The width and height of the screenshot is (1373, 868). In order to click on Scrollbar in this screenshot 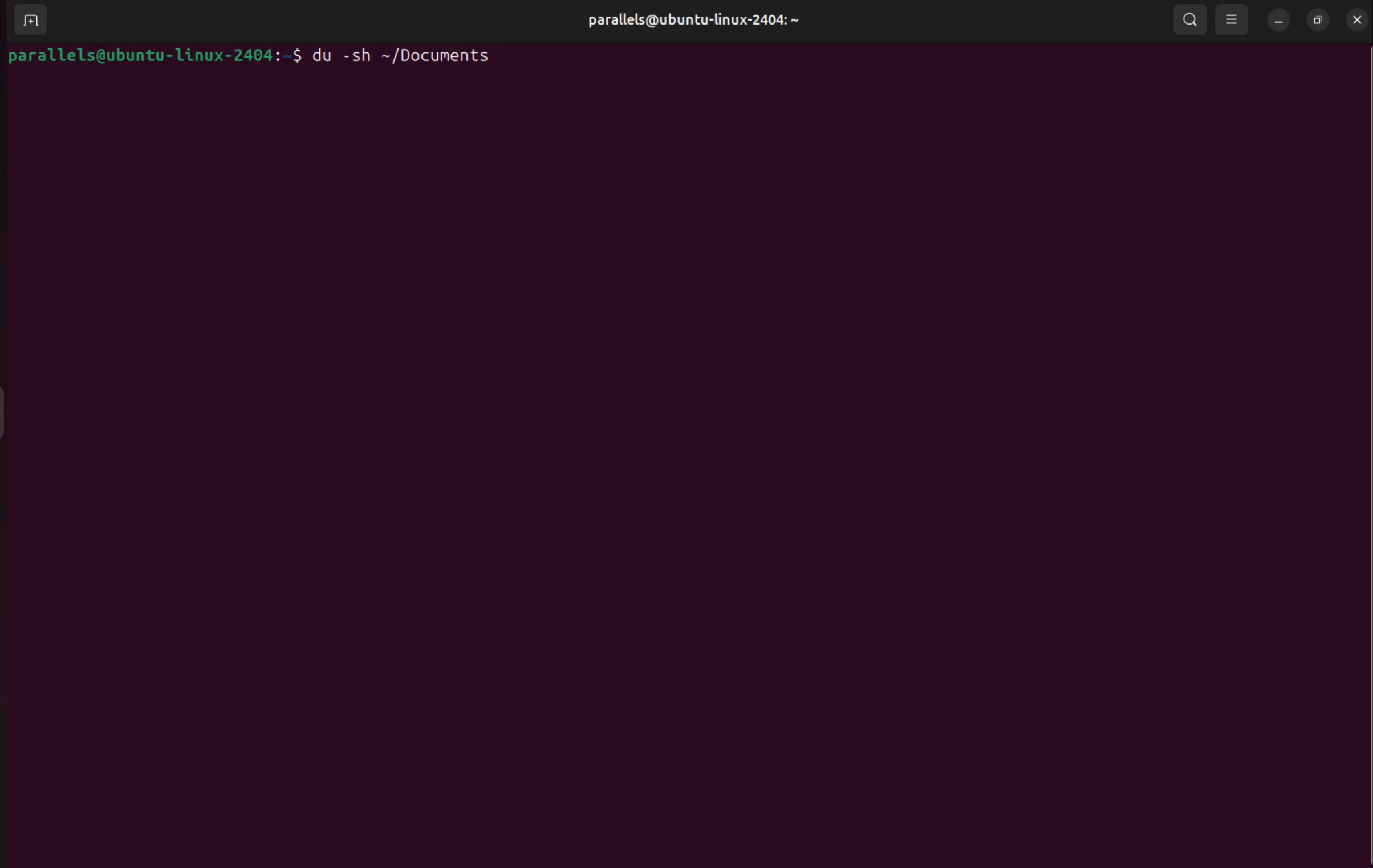, I will do `click(1364, 430)`.